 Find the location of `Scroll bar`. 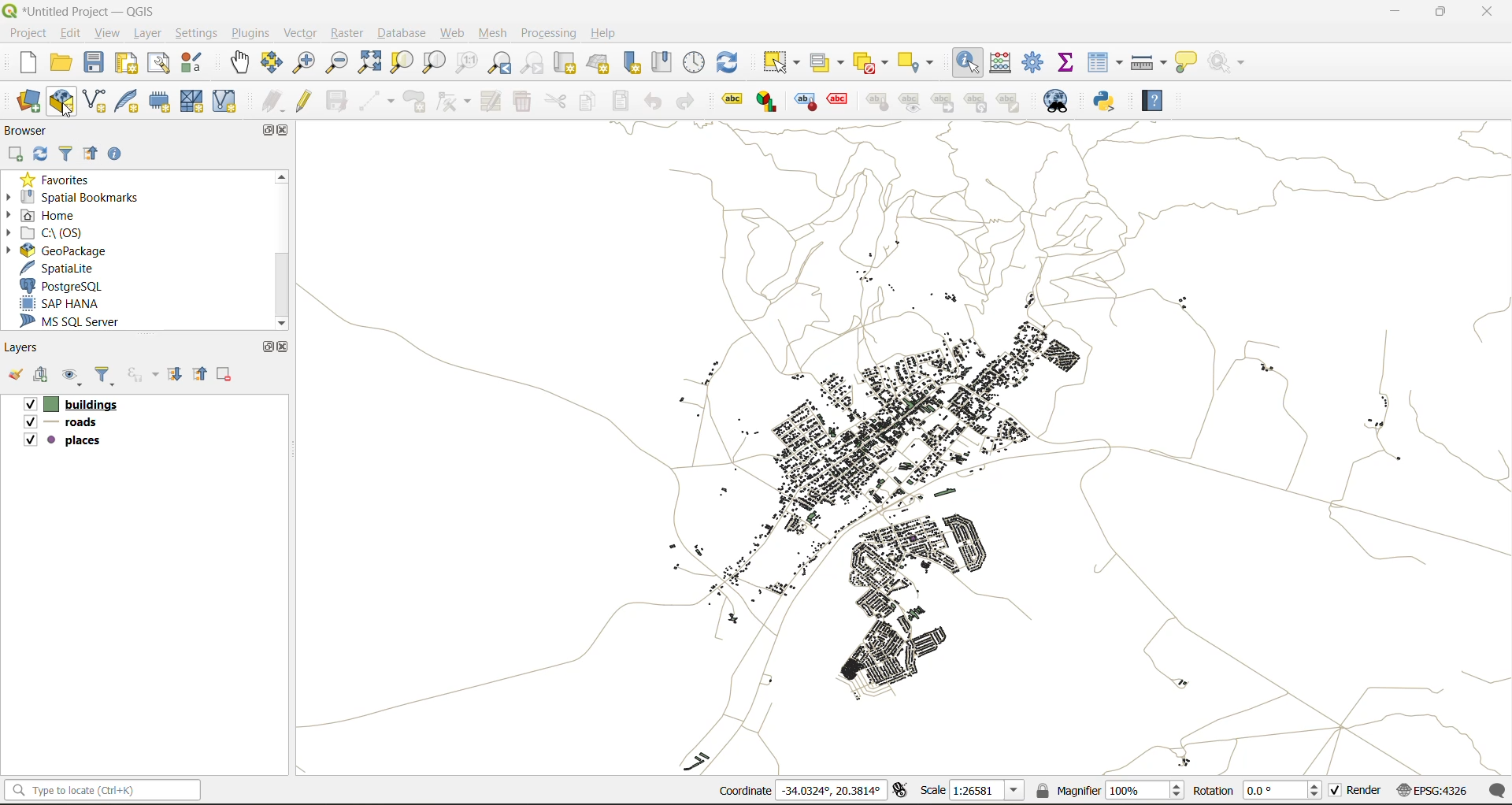

Scroll bar is located at coordinates (280, 250).